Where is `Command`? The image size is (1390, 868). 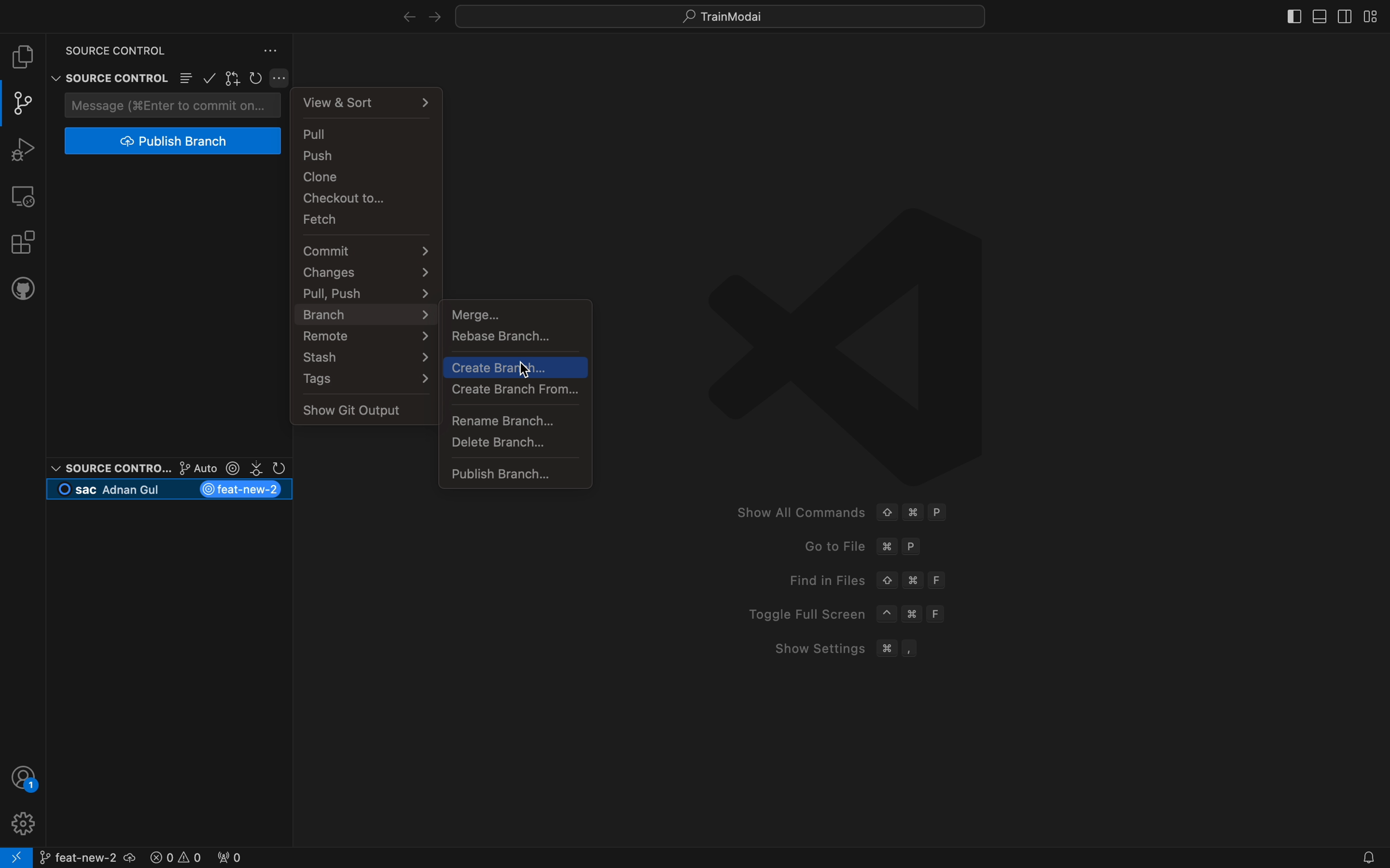 Command is located at coordinates (916, 616).